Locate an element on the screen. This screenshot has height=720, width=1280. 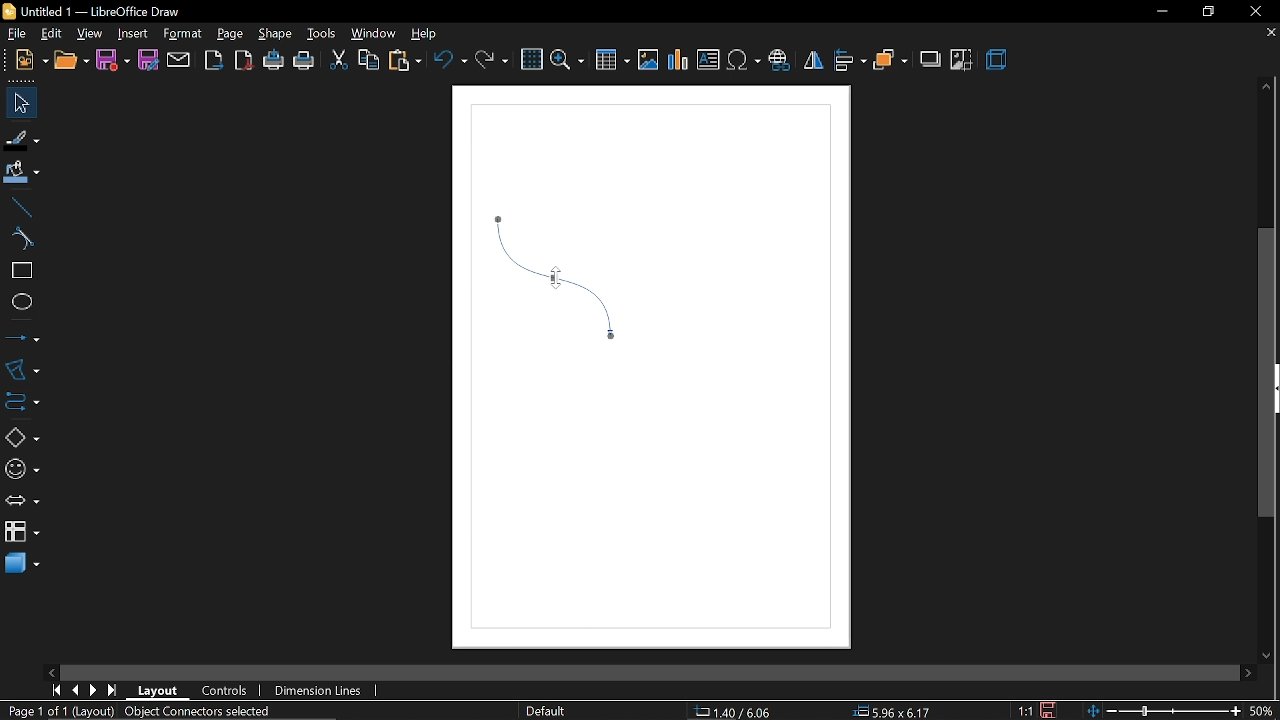
1:1 is located at coordinates (1027, 711).